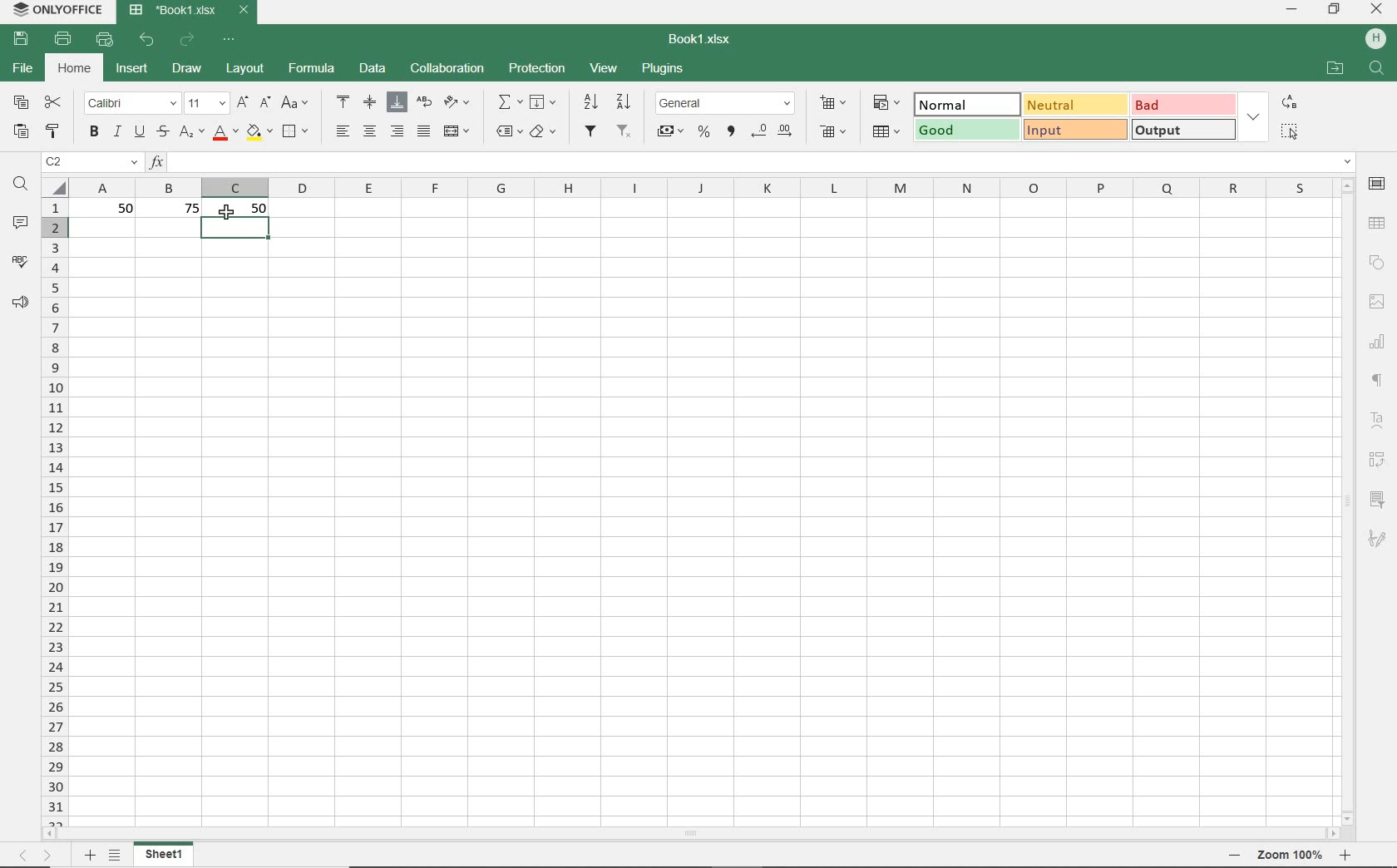 The height and width of the screenshot is (868, 1397). Describe the element at coordinates (751, 161) in the screenshot. I see `Input function` at that location.